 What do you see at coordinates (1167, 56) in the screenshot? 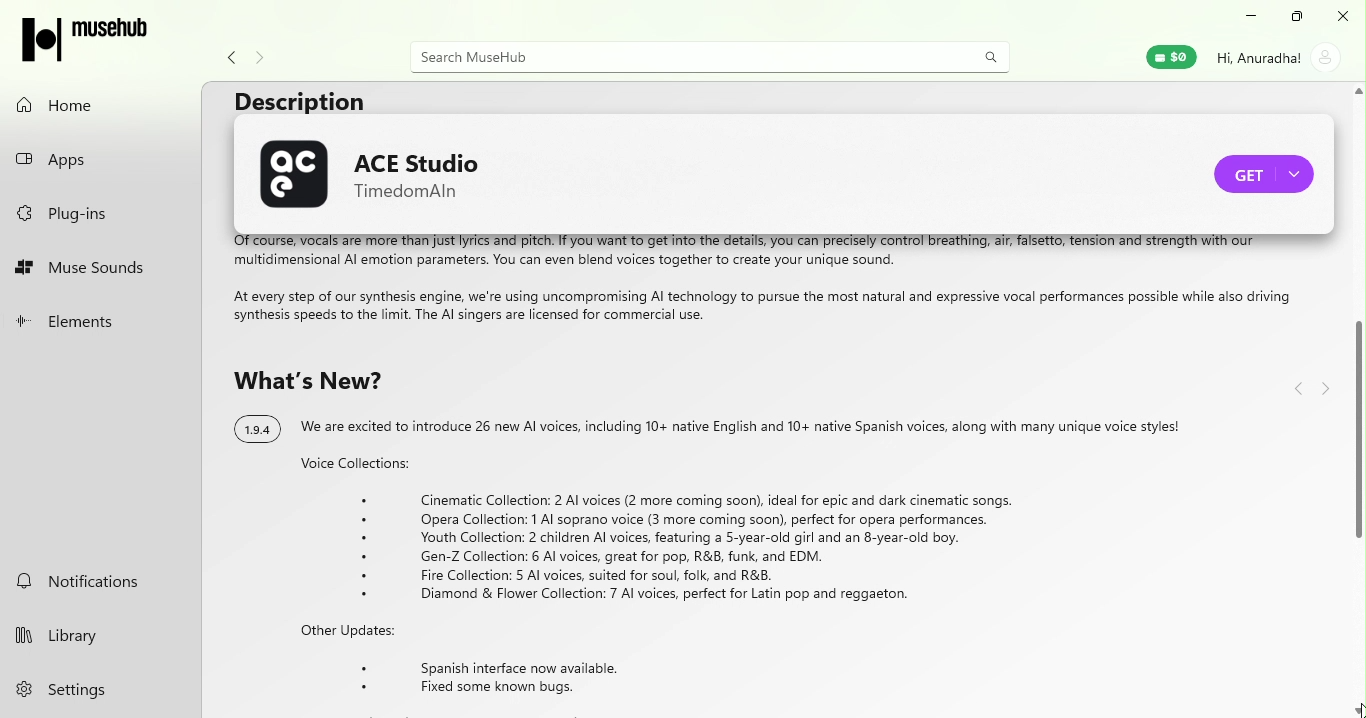
I see `muse wallet` at bounding box center [1167, 56].